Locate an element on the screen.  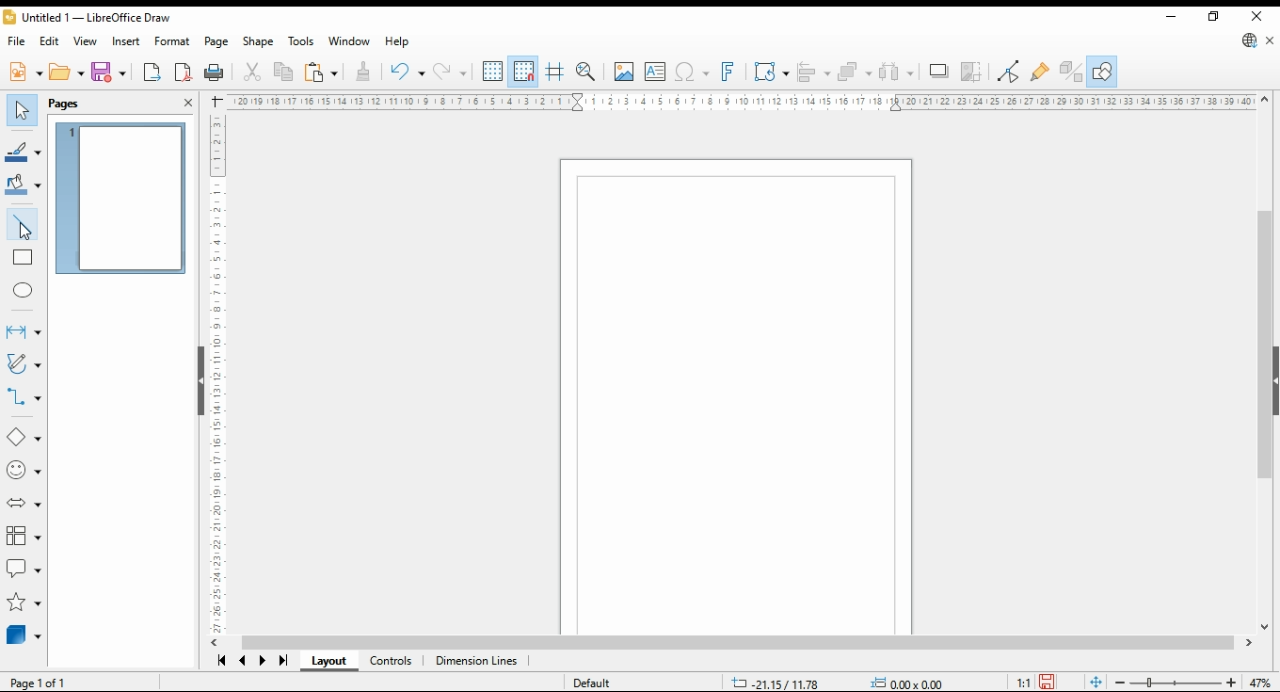
horizontal scale is located at coordinates (741, 101).